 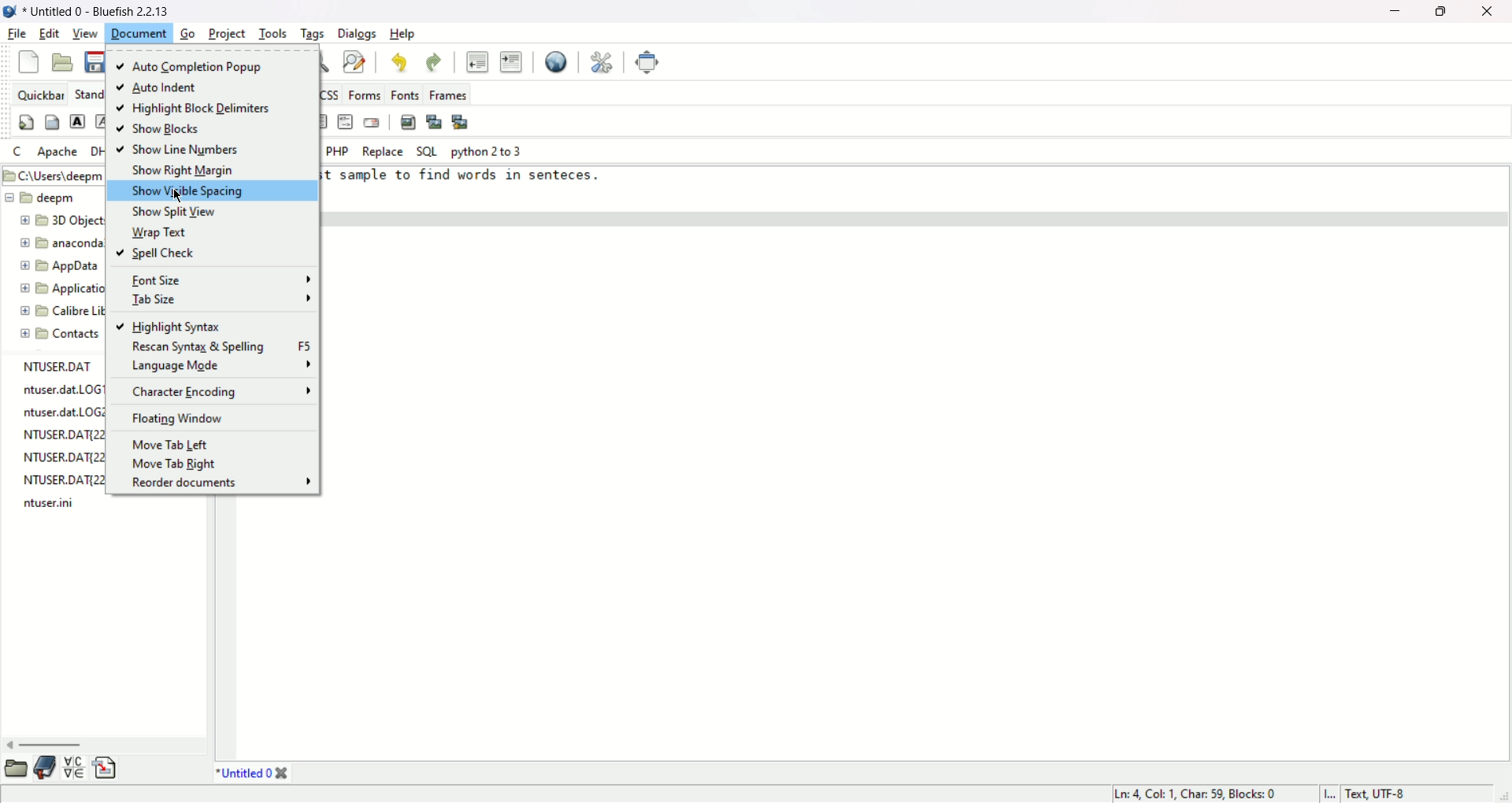 What do you see at coordinates (28, 63) in the screenshot?
I see `new` at bounding box center [28, 63].